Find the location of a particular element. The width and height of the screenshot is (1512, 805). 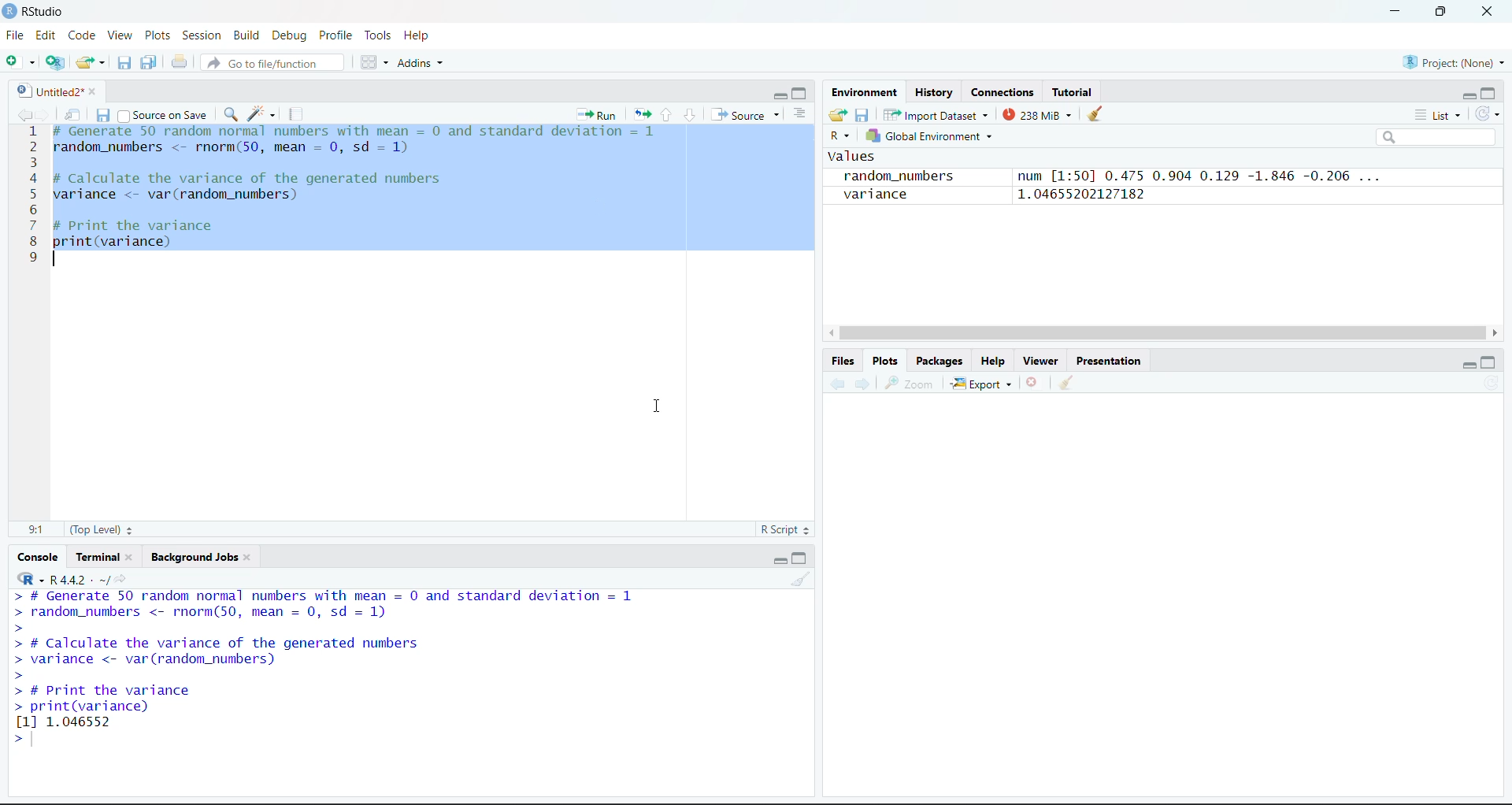

Build is located at coordinates (246, 35).